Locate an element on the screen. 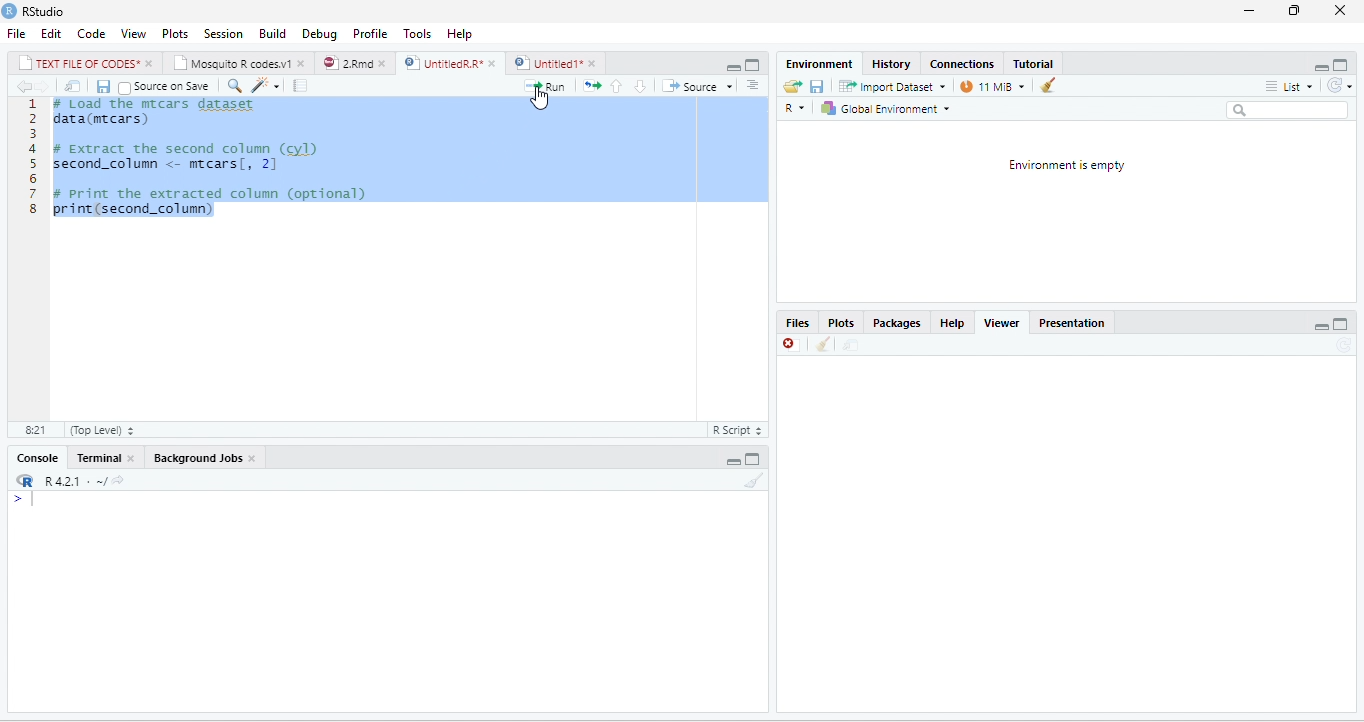  Files is located at coordinates (798, 324).